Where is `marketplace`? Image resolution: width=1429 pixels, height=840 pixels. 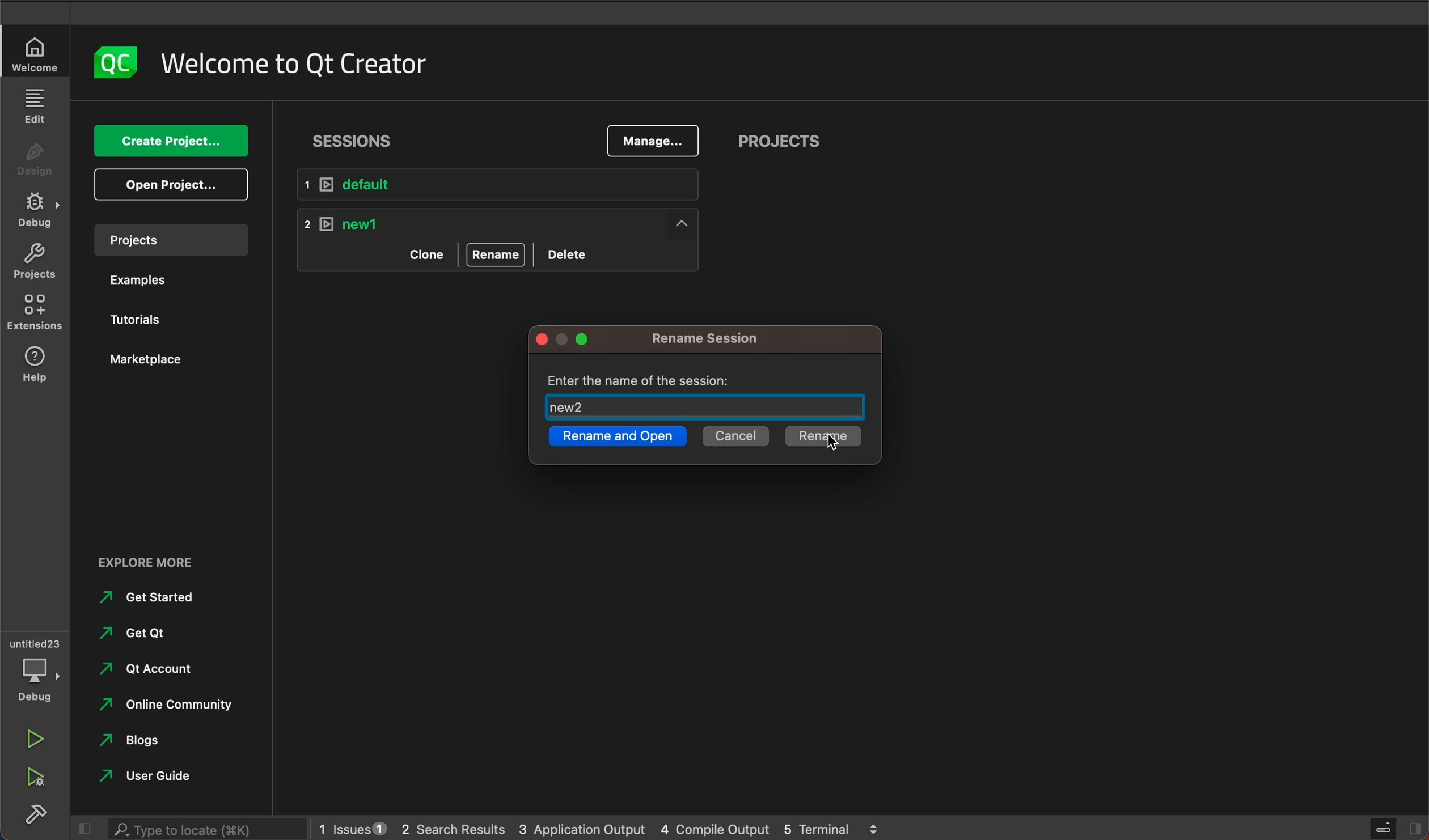 marketplace is located at coordinates (152, 360).